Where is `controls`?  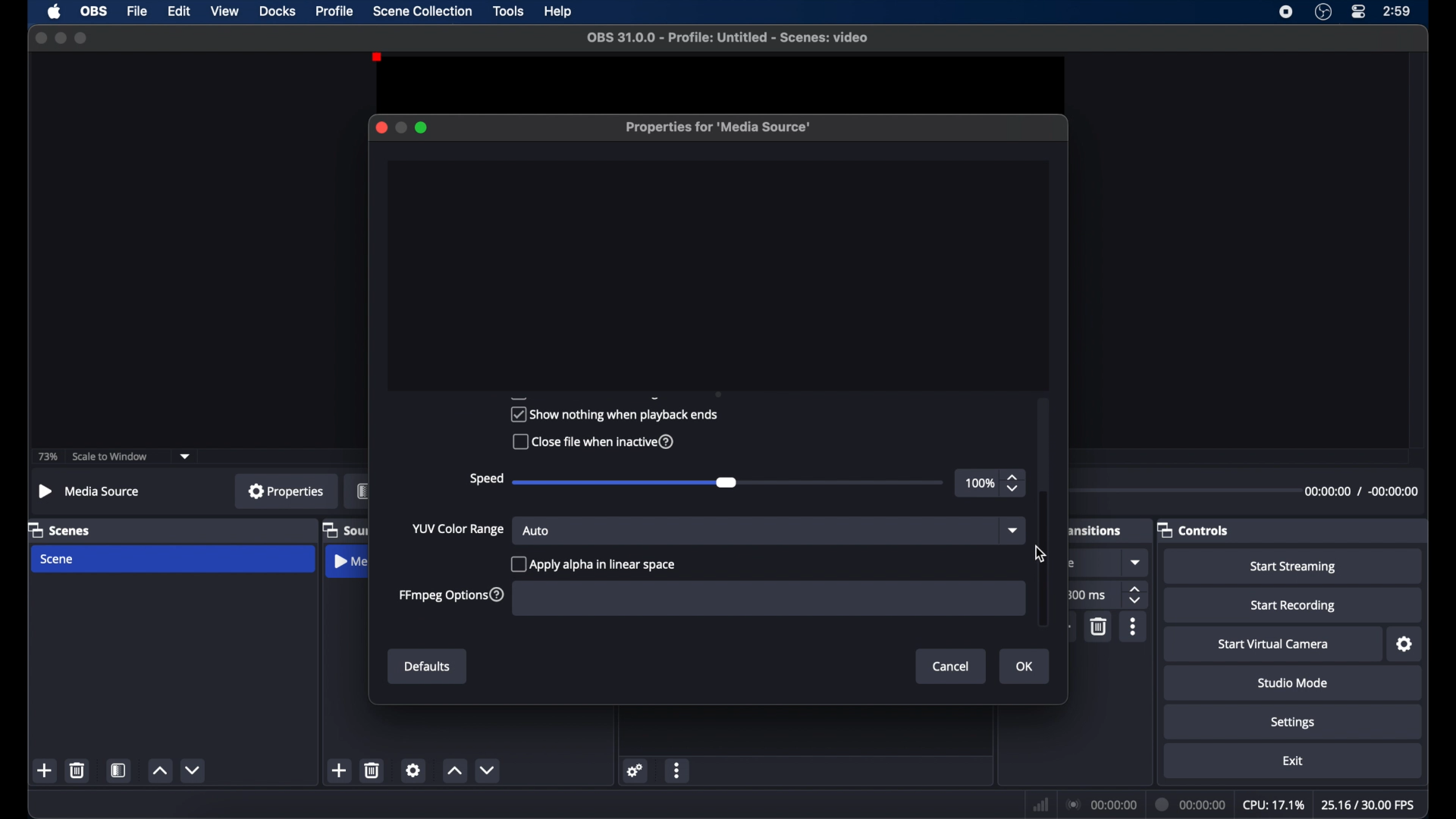
controls is located at coordinates (1192, 529).